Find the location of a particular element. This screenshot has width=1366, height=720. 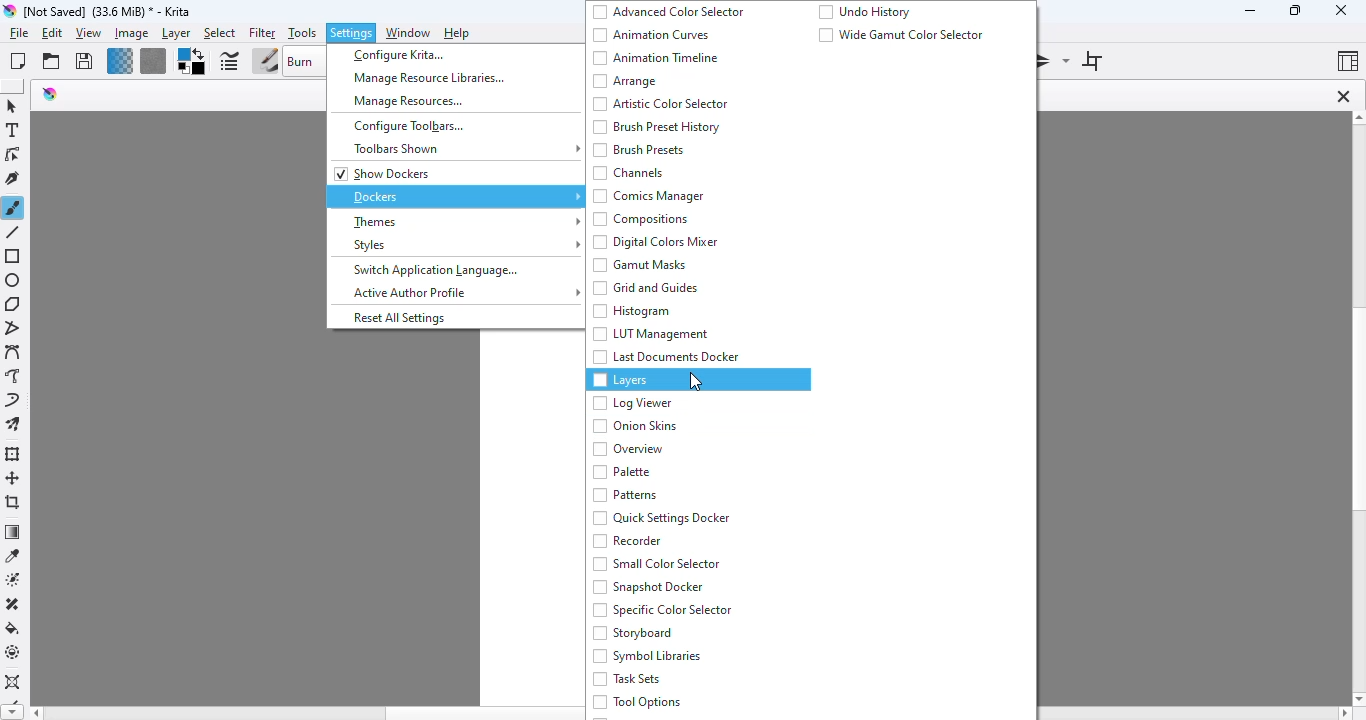

layers is located at coordinates (620, 381).